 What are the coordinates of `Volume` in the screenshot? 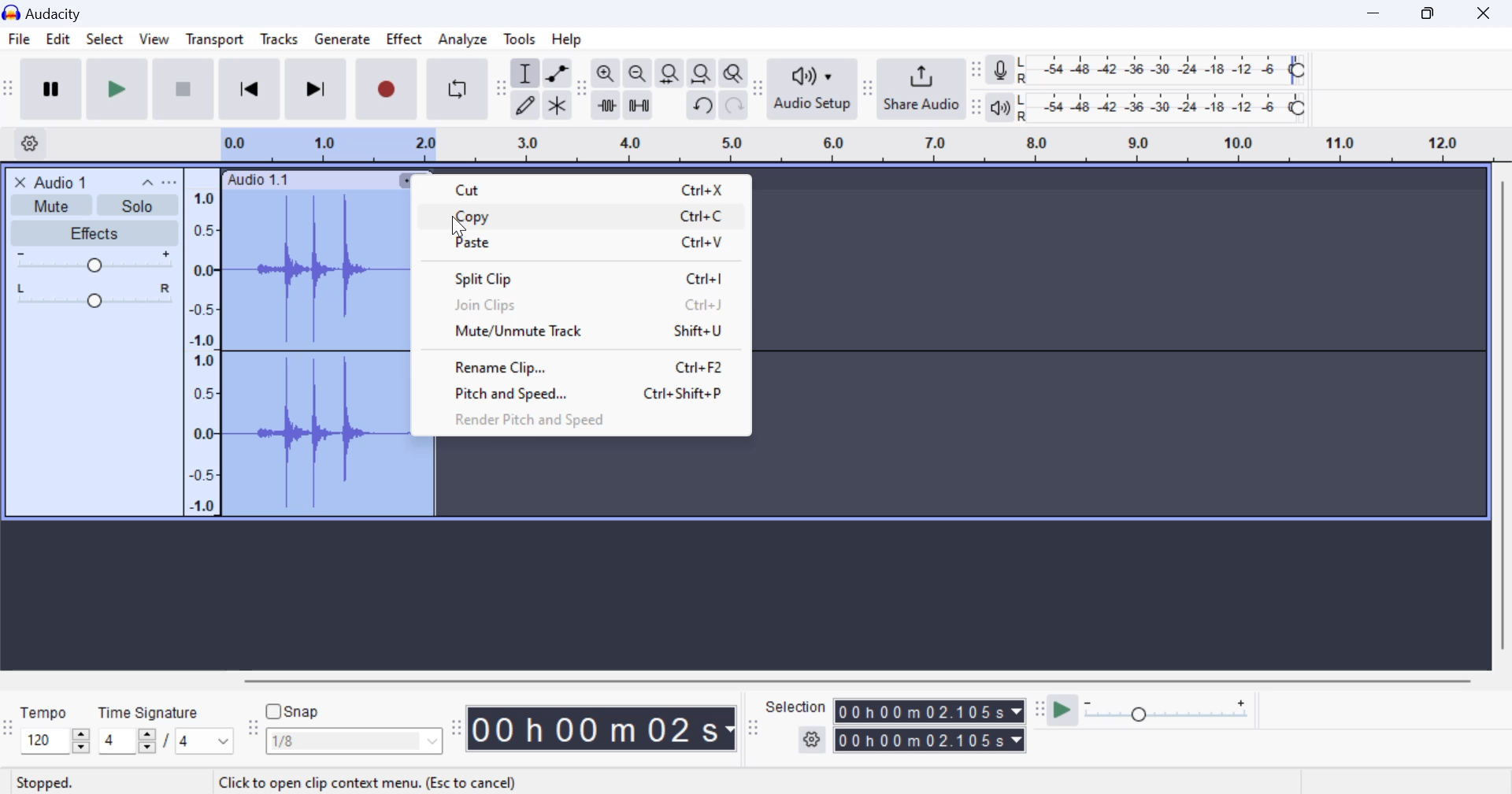 It's located at (91, 262).